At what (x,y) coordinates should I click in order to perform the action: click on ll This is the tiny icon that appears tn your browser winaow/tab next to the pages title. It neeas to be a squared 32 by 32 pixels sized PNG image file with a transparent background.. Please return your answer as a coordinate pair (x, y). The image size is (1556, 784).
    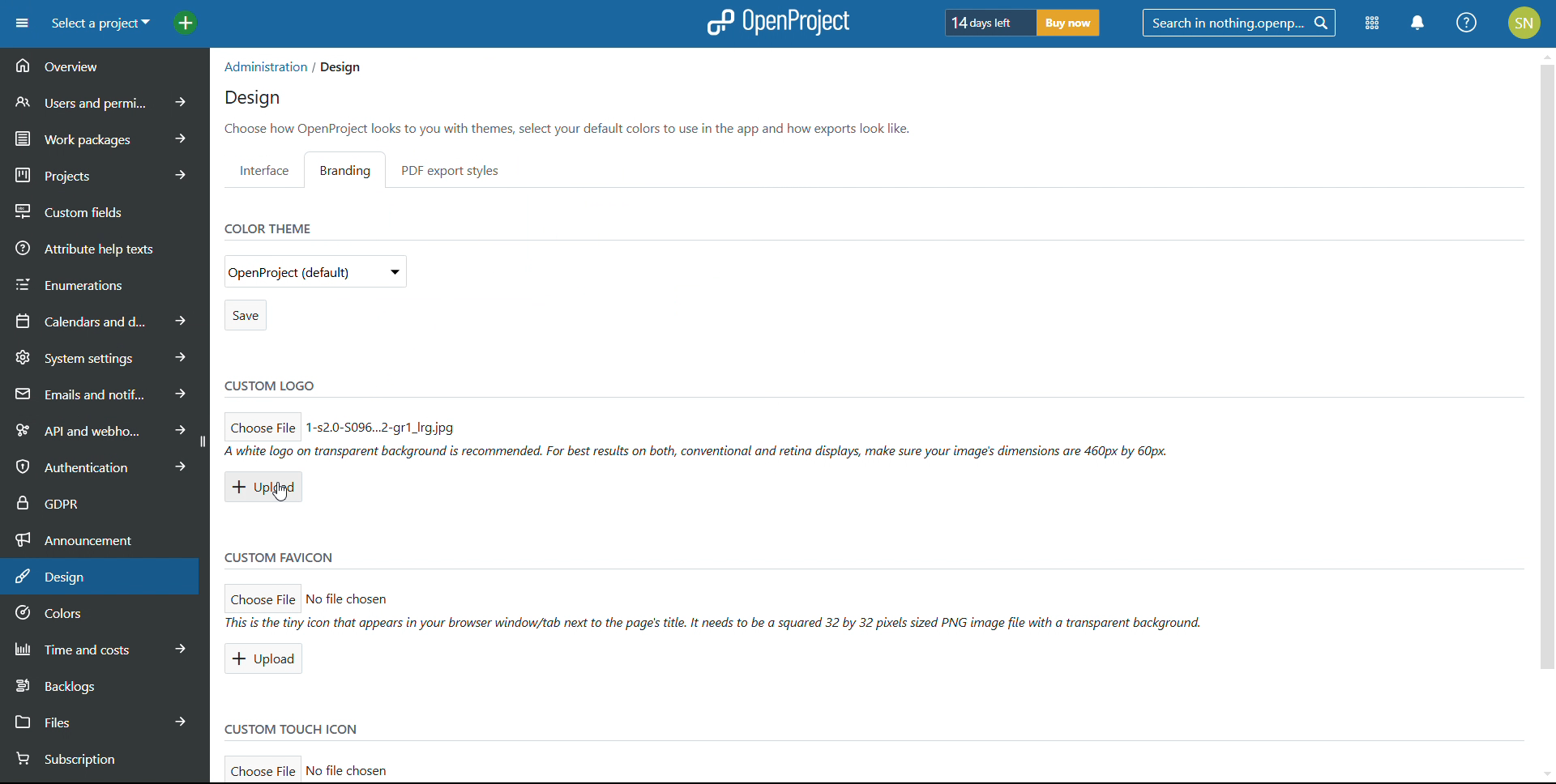
    Looking at the image, I should click on (721, 624).